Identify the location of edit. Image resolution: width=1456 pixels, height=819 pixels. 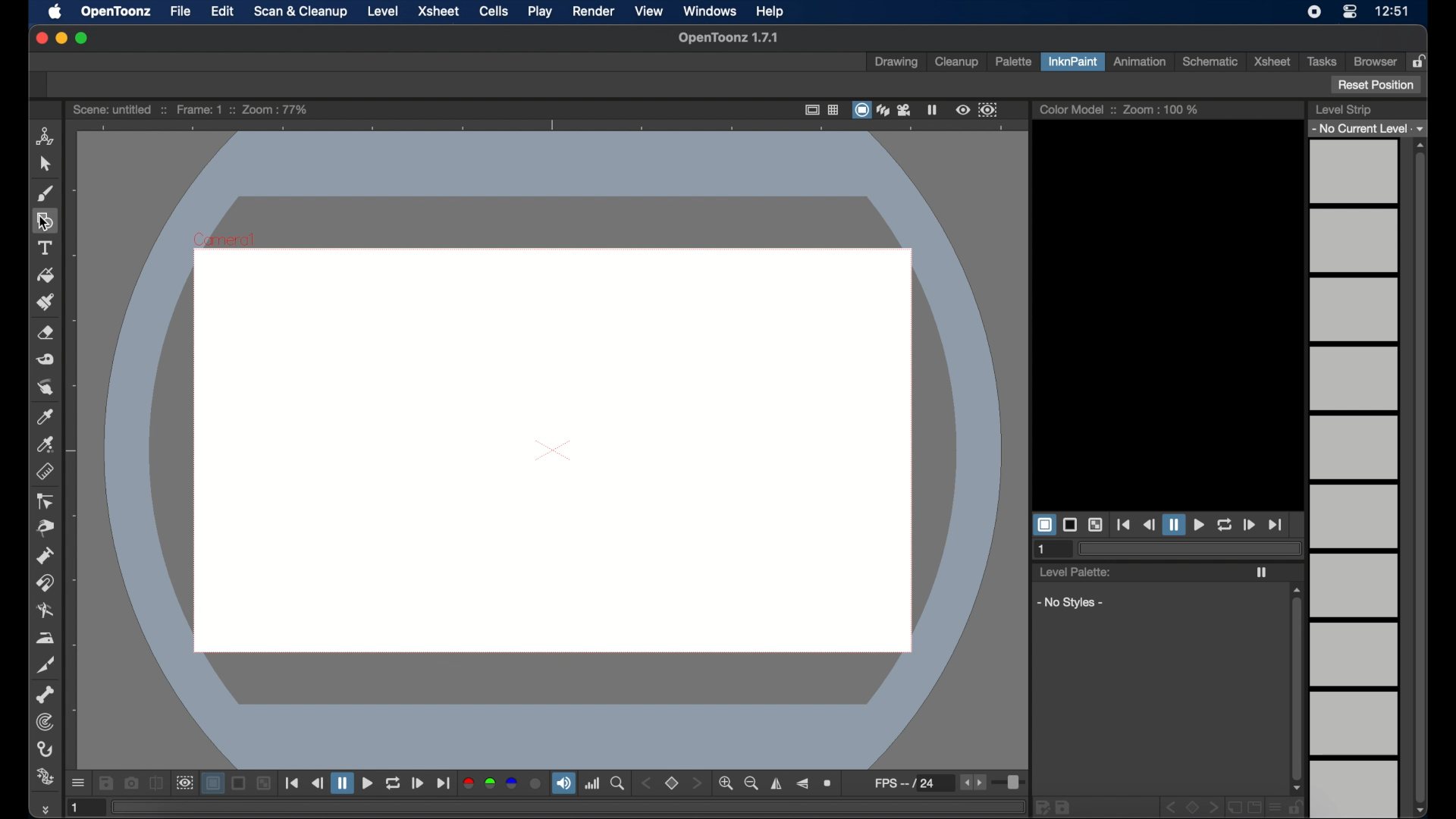
(223, 11).